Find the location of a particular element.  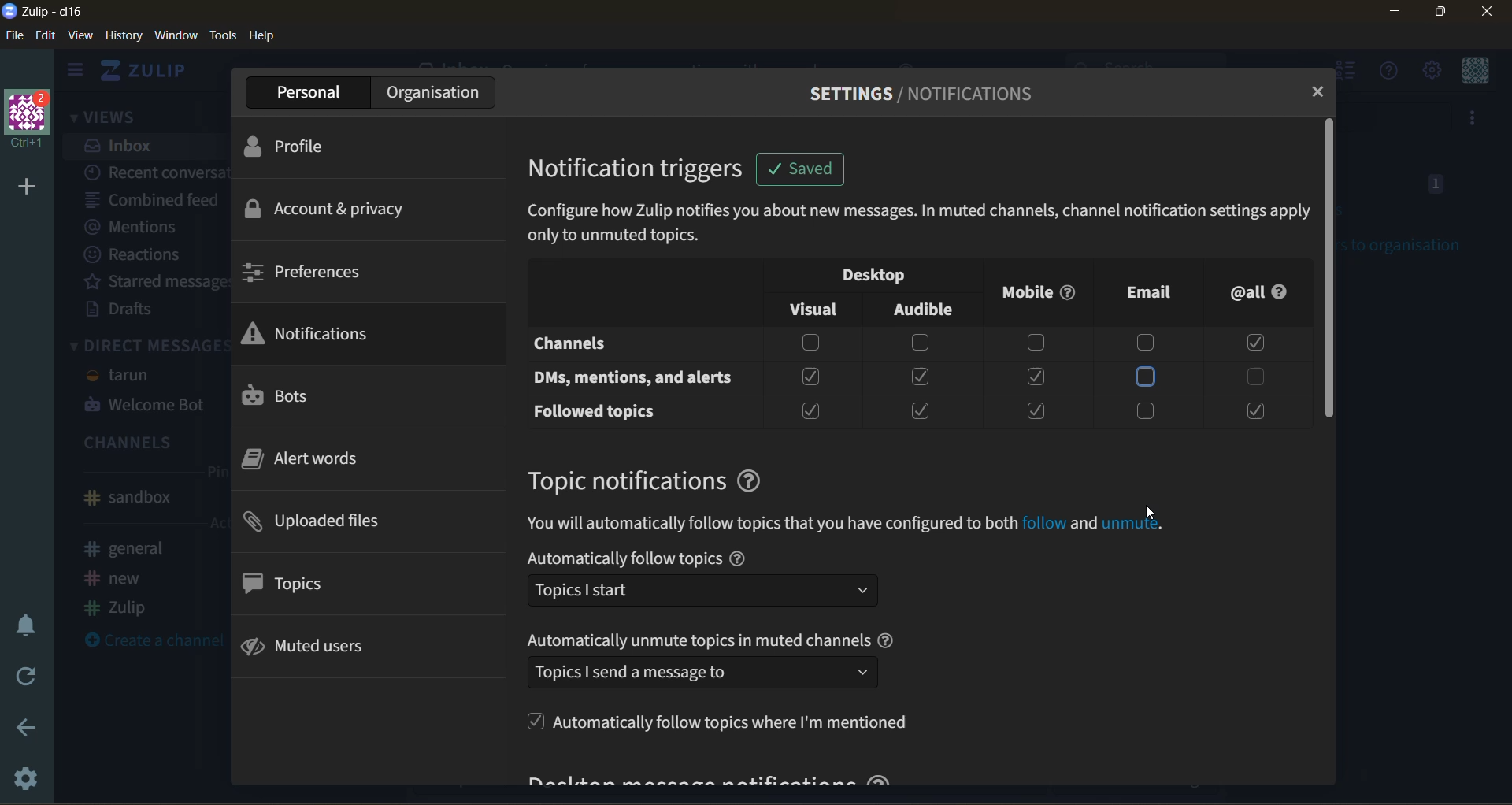

file is located at coordinates (15, 36).